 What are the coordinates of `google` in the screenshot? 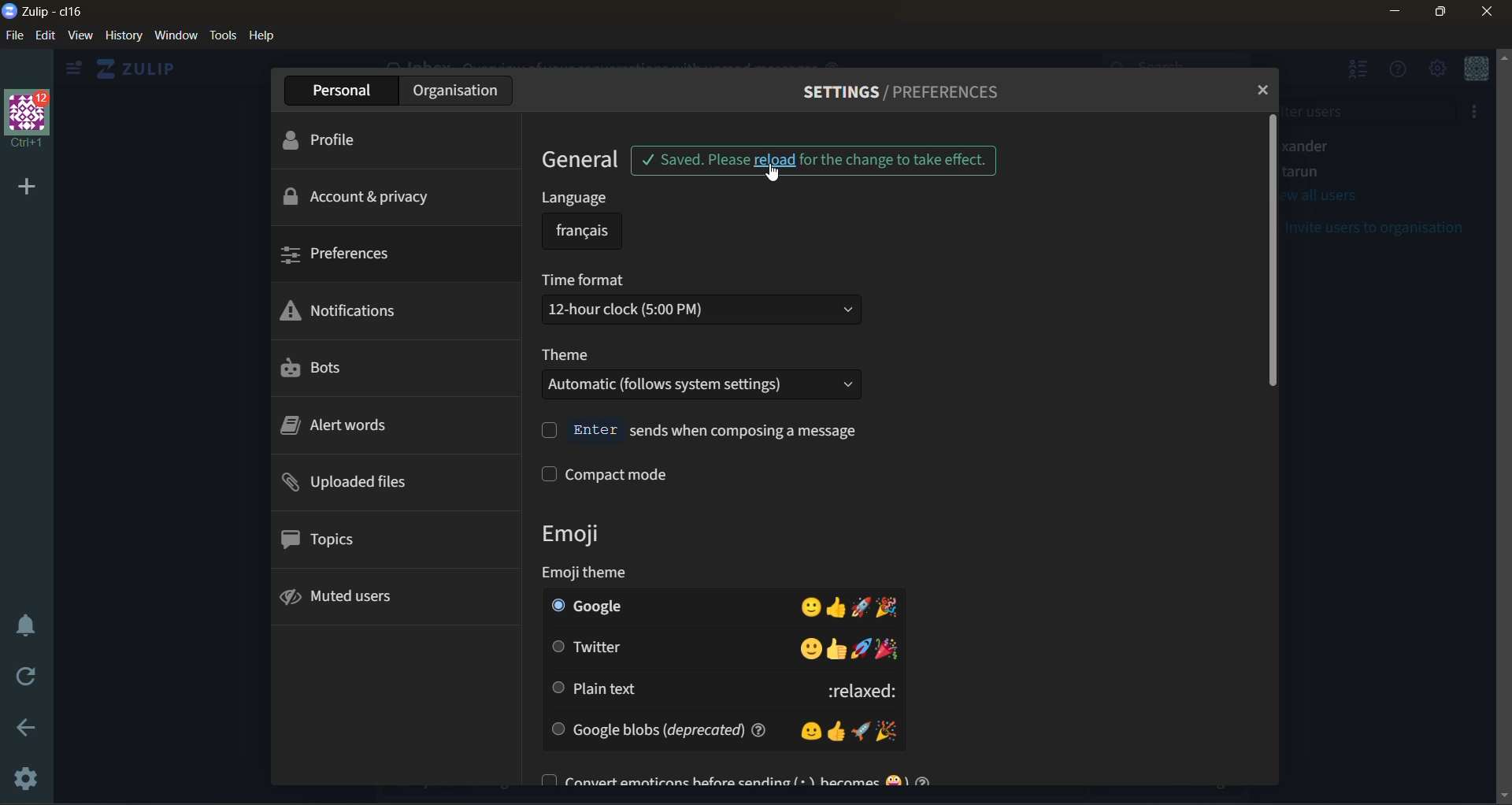 It's located at (722, 607).